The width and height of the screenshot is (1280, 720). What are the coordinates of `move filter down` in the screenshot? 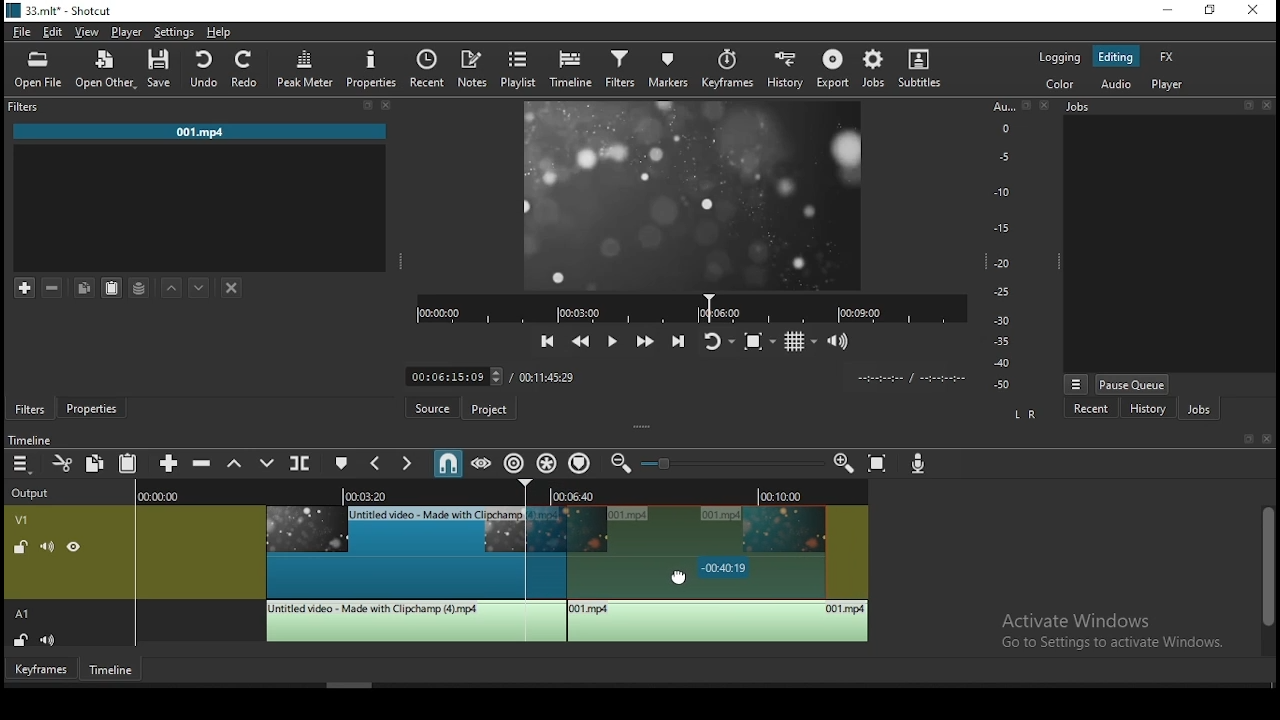 It's located at (199, 285).